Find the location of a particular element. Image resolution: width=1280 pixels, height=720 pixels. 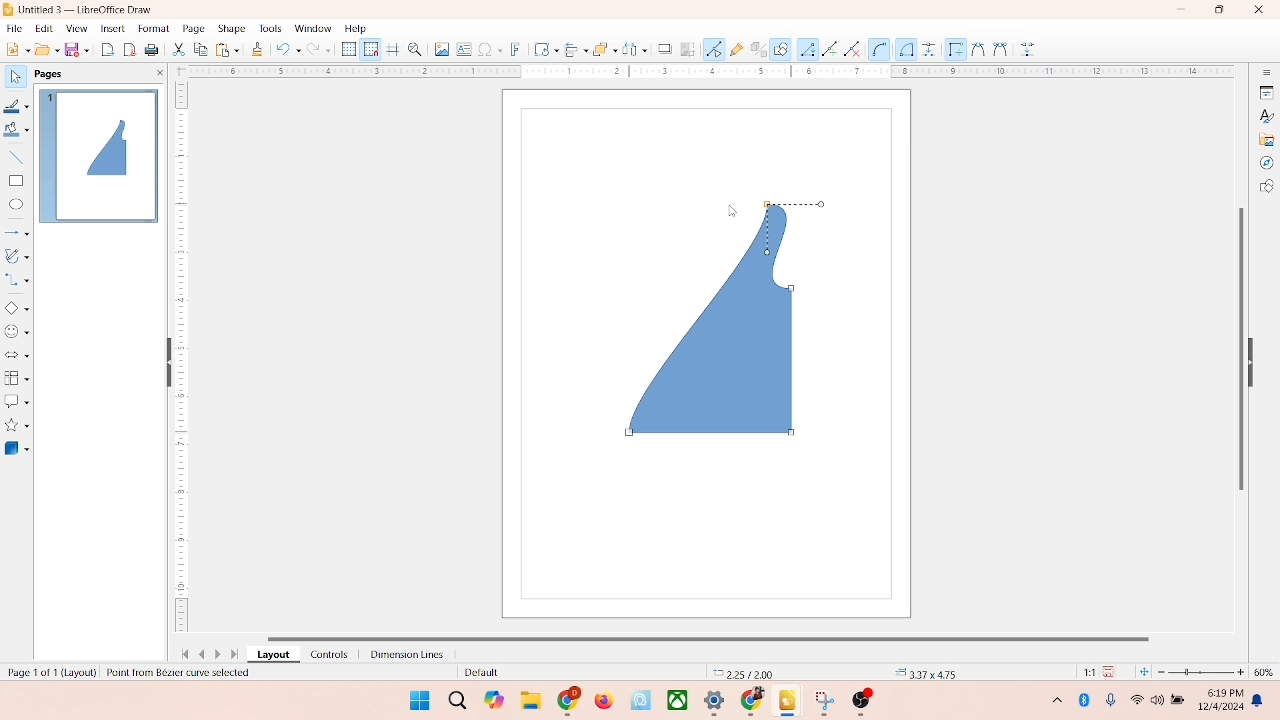

next page is located at coordinates (220, 654).